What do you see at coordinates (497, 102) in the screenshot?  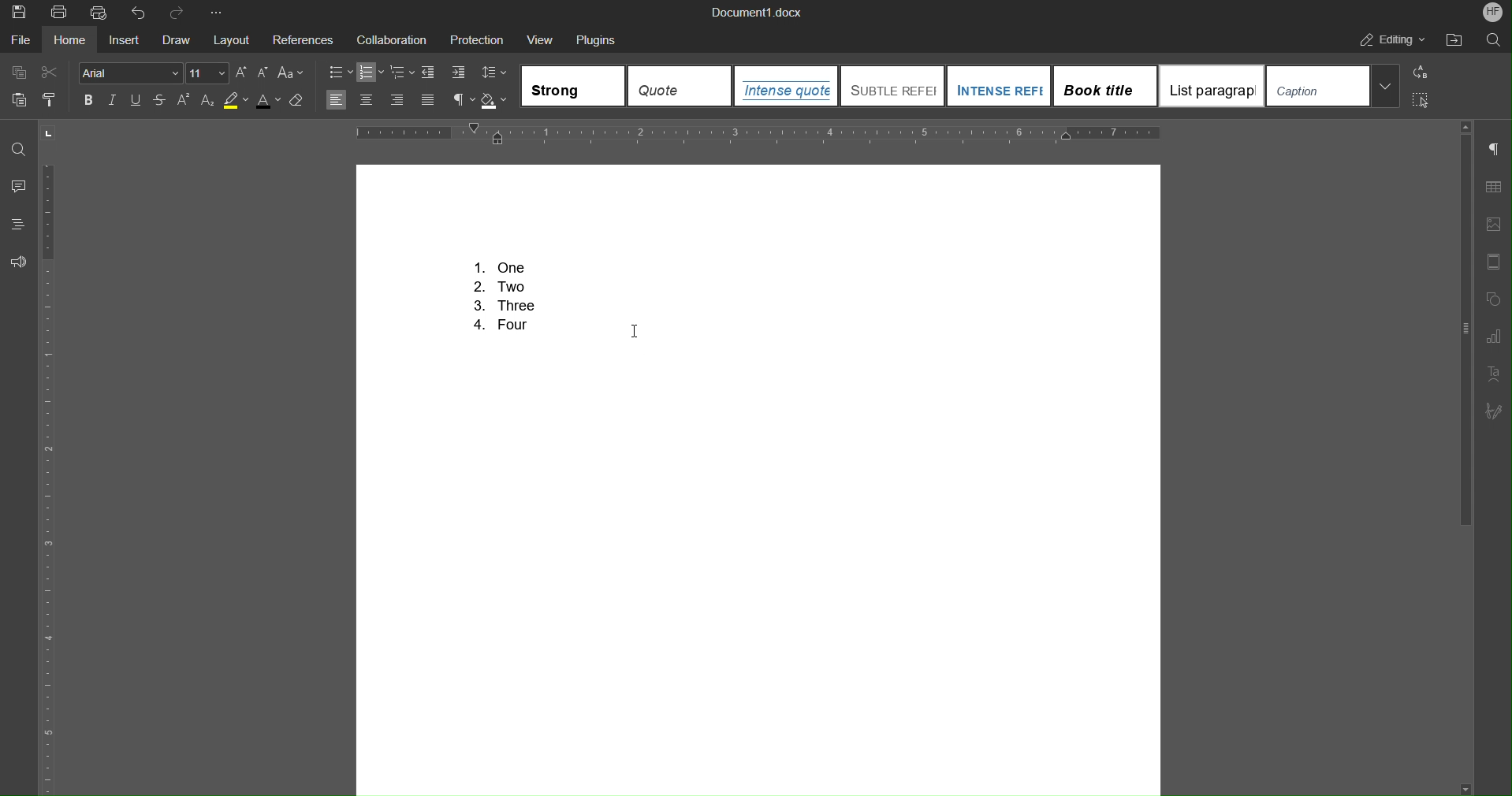 I see `Shadow` at bounding box center [497, 102].